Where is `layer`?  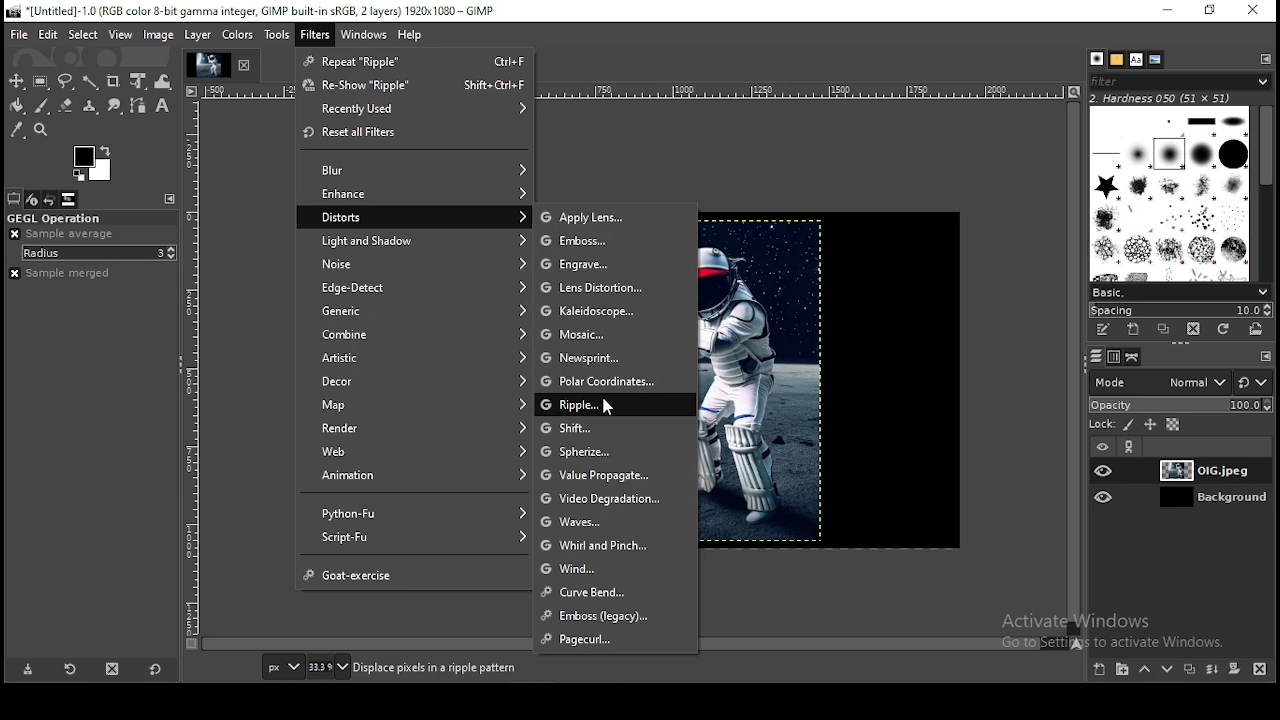
layer is located at coordinates (200, 35).